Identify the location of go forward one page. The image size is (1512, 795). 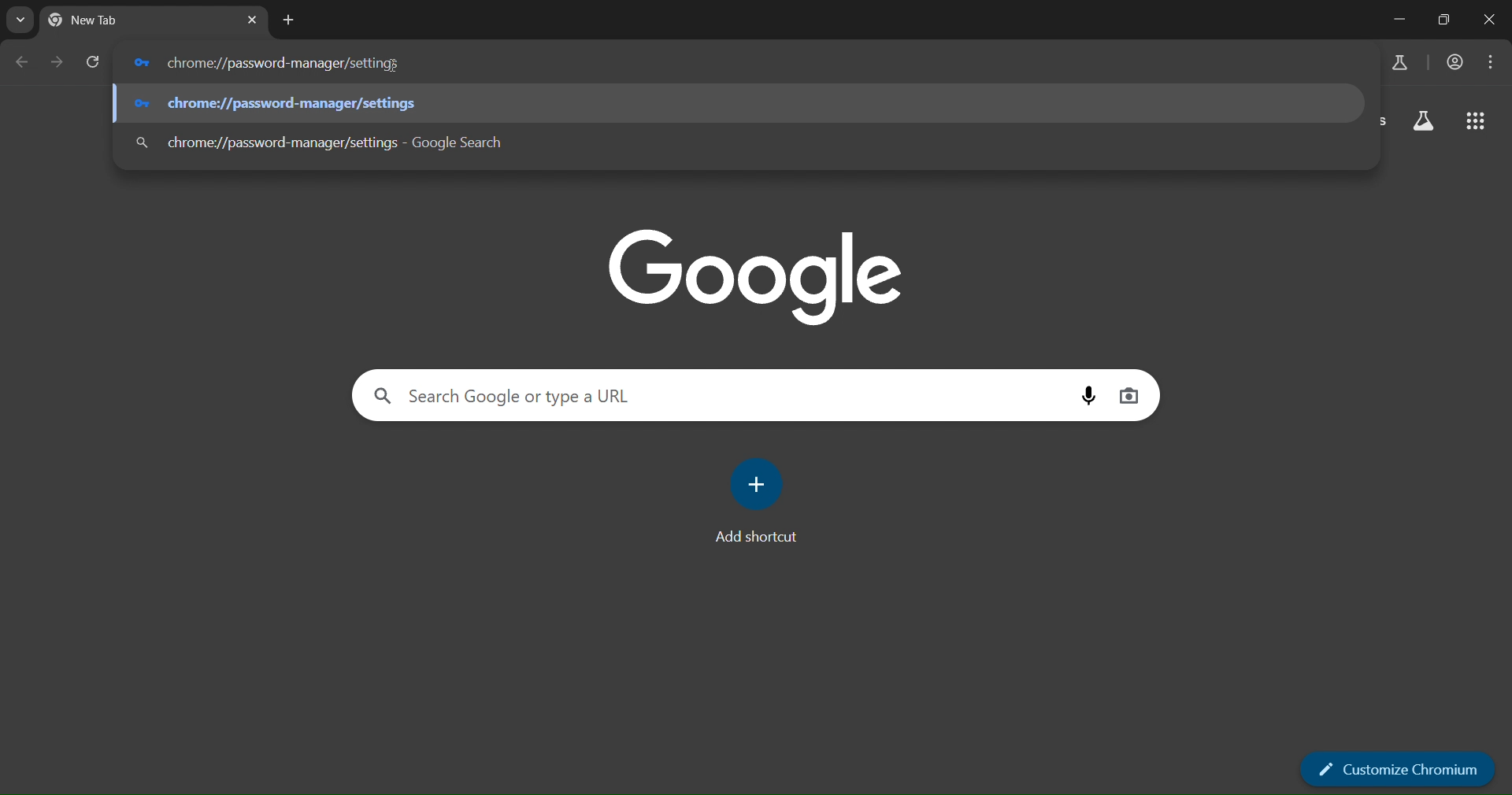
(59, 65).